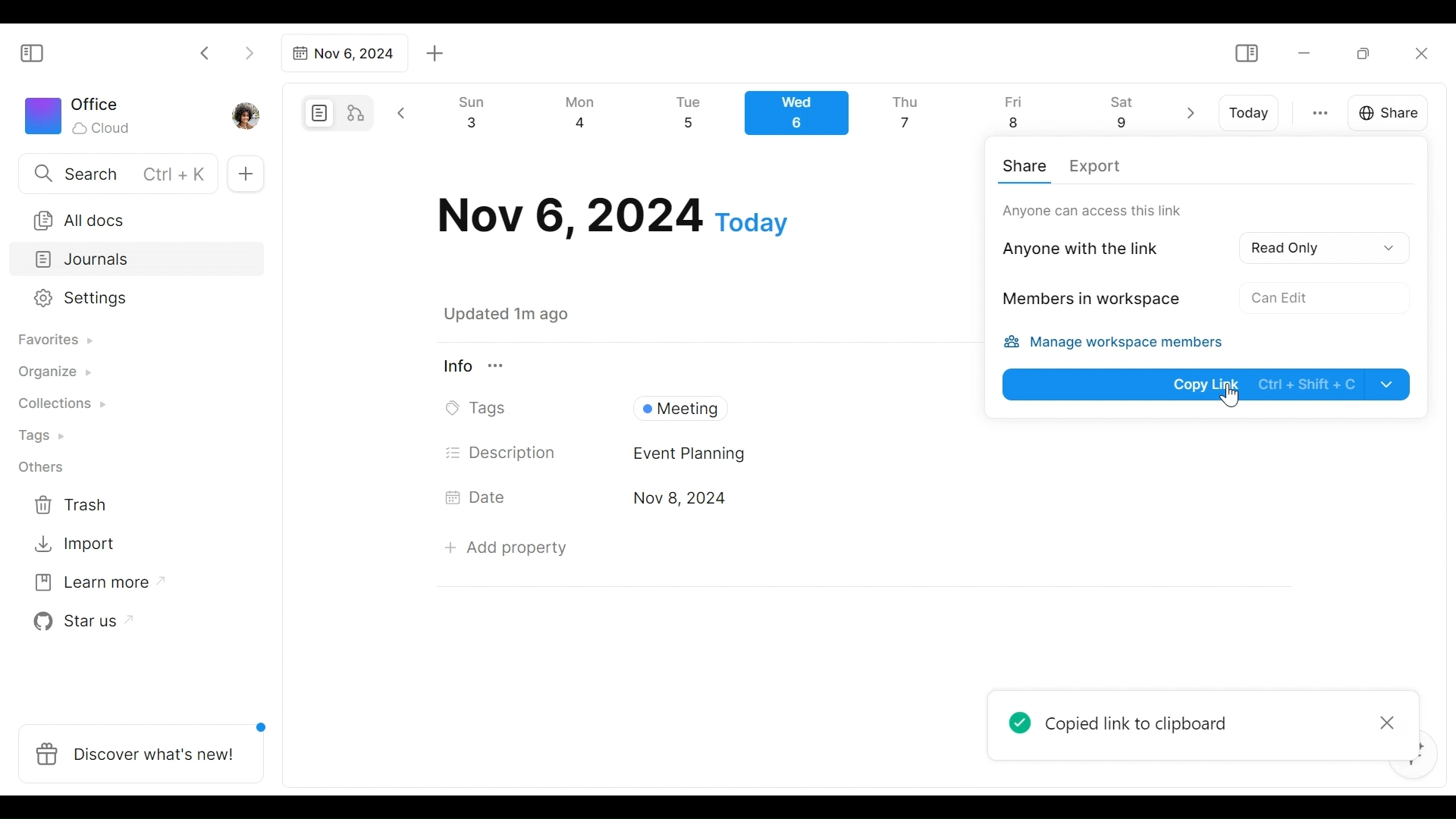  Describe the element at coordinates (80, 114) in the screenshot. I see `Workspace icon` at that location.